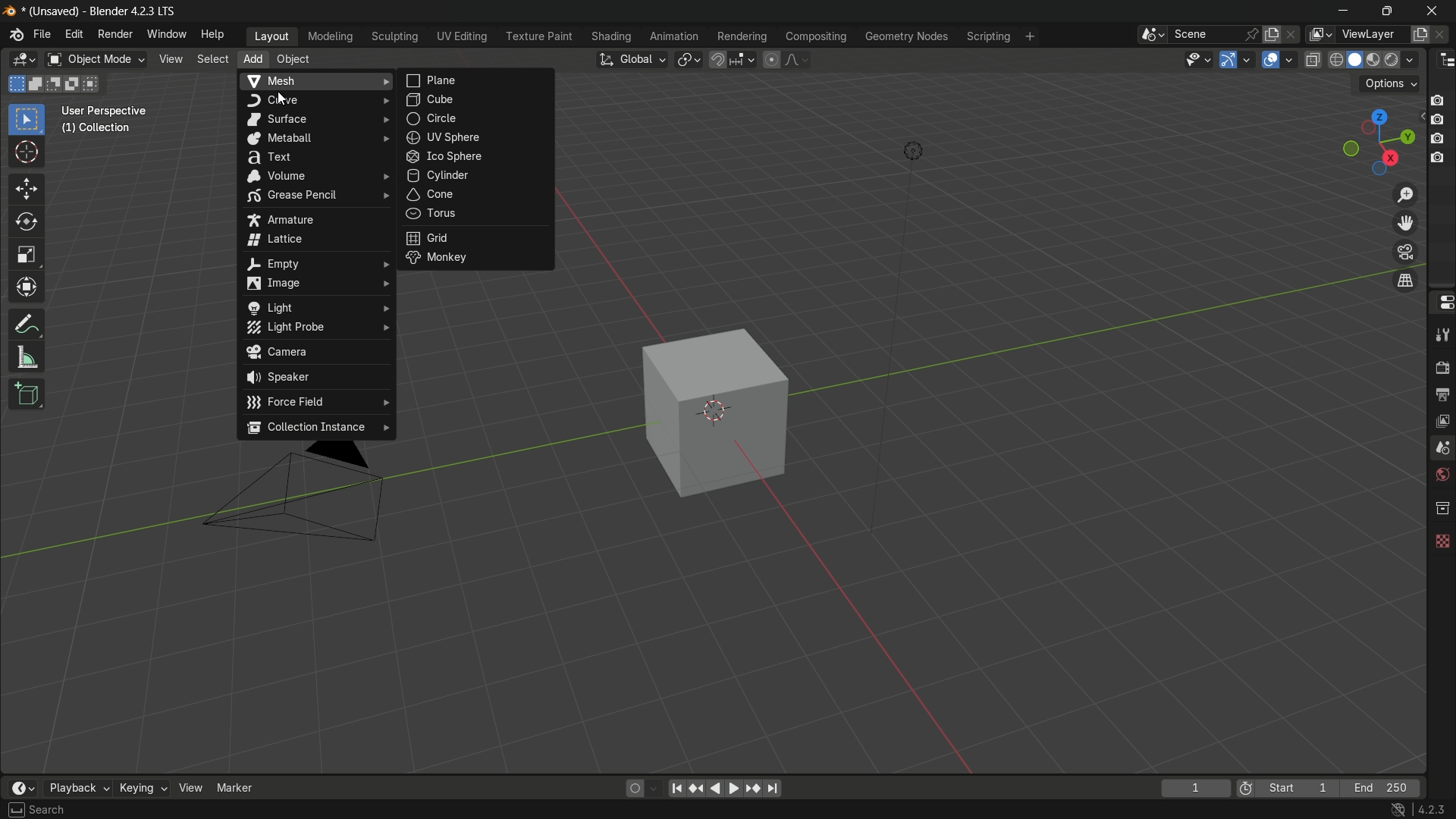  I want to click on cylinder, so click(475, 175).